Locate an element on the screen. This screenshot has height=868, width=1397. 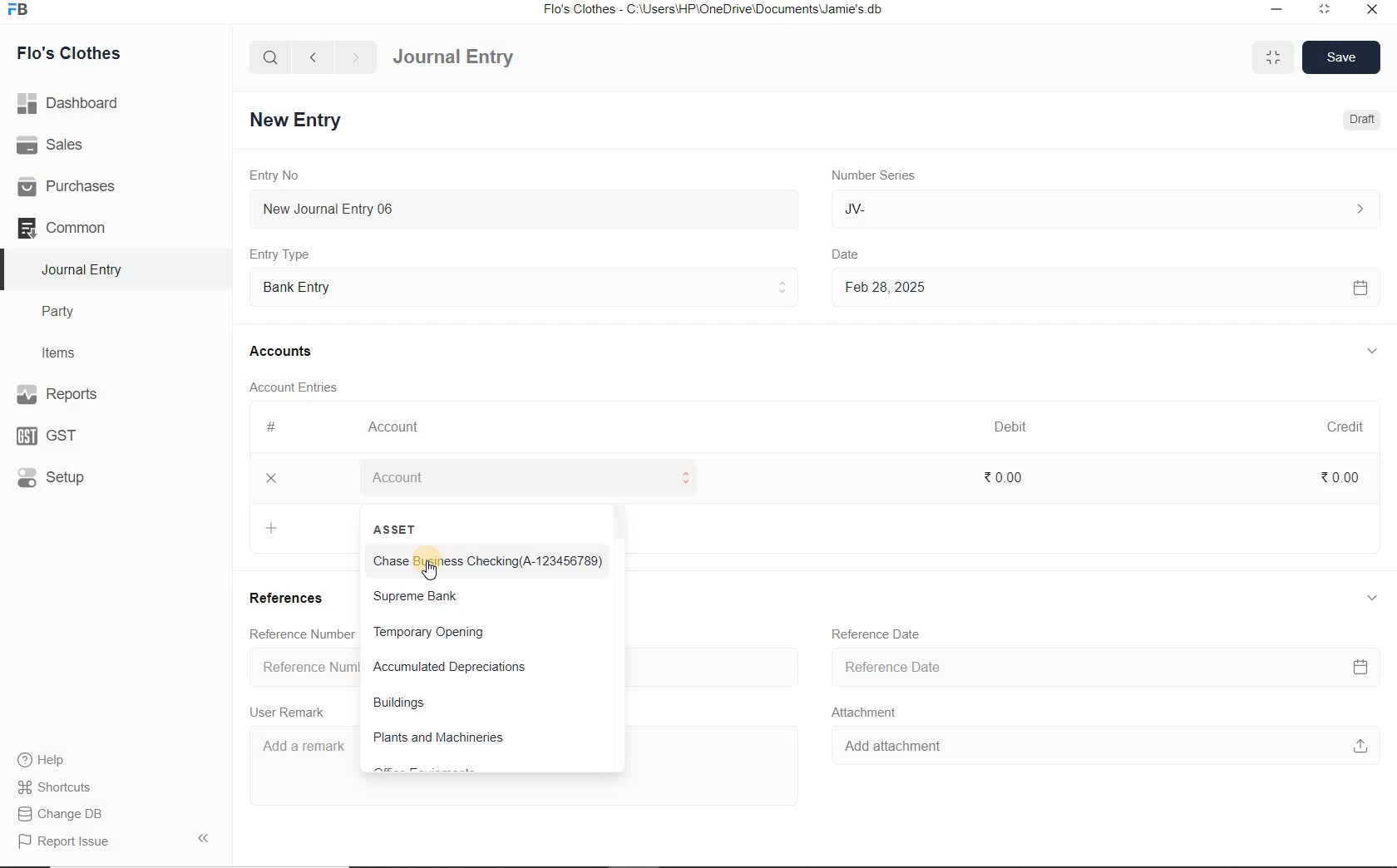
₹0.00 is located at coordinates (1000, 481).